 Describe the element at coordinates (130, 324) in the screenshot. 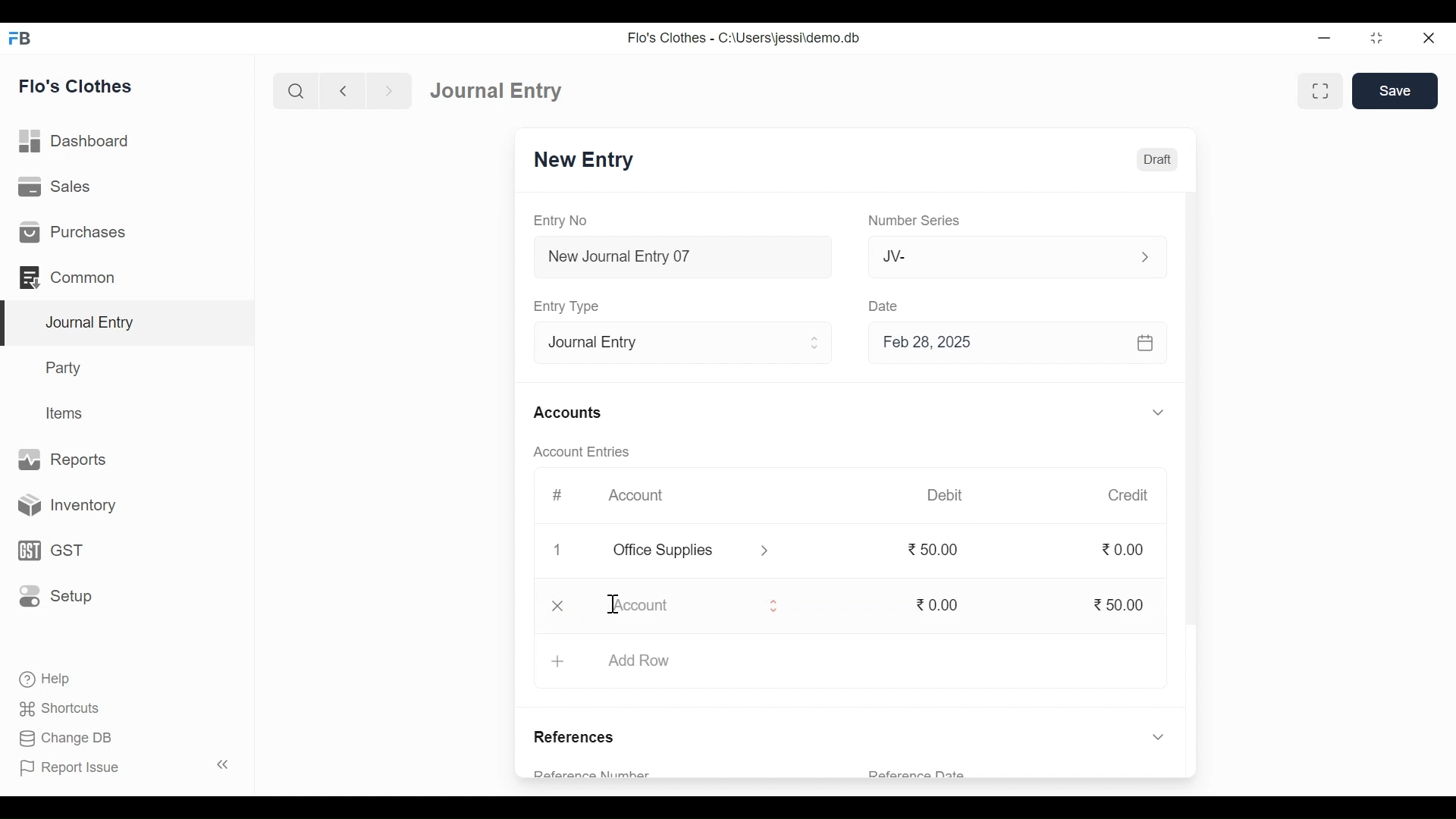

I see `Journal Entry` at that location.